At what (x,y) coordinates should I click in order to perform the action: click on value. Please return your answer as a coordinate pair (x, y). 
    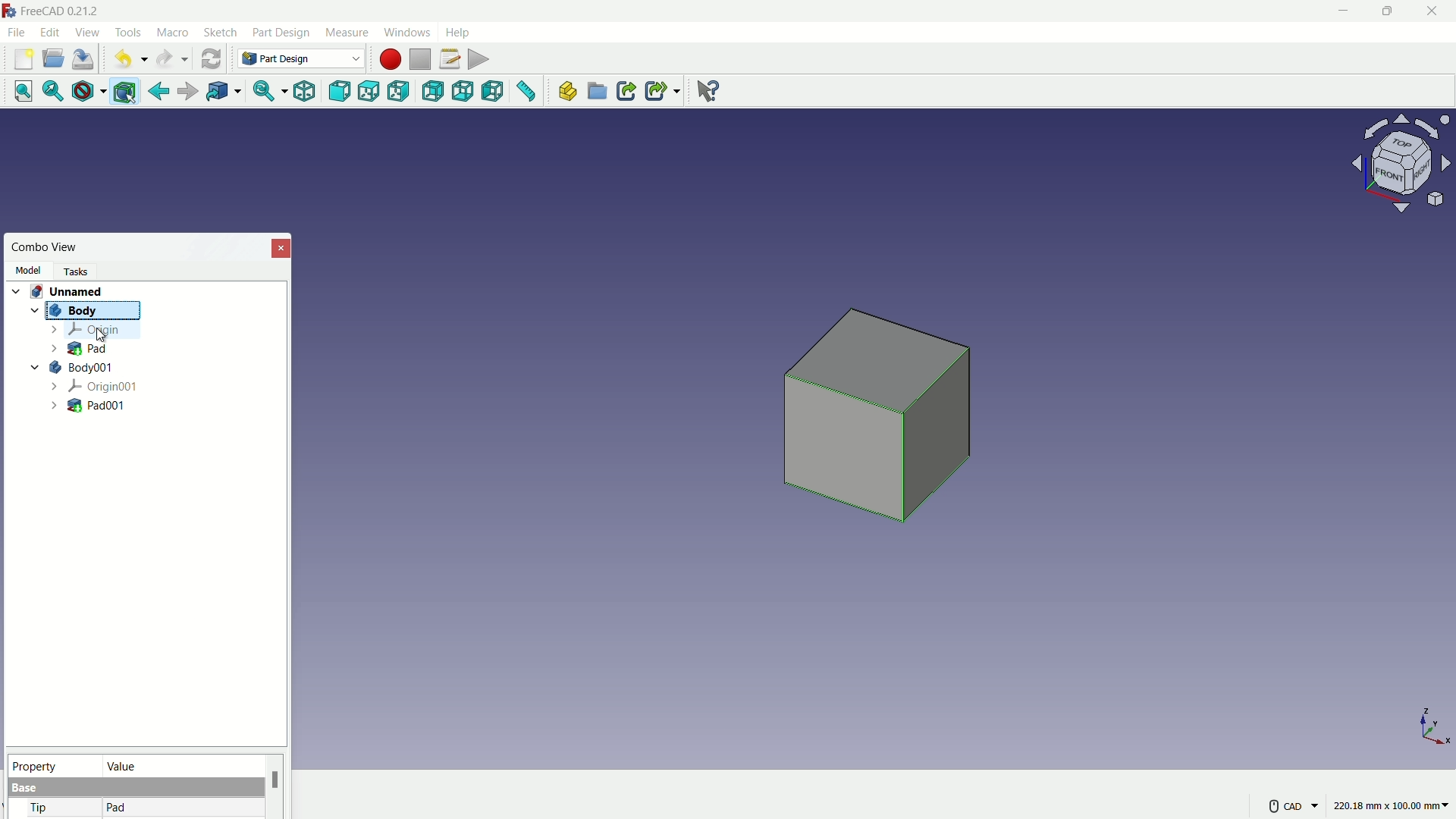
    Looking at the image, I should click on (180, 765).